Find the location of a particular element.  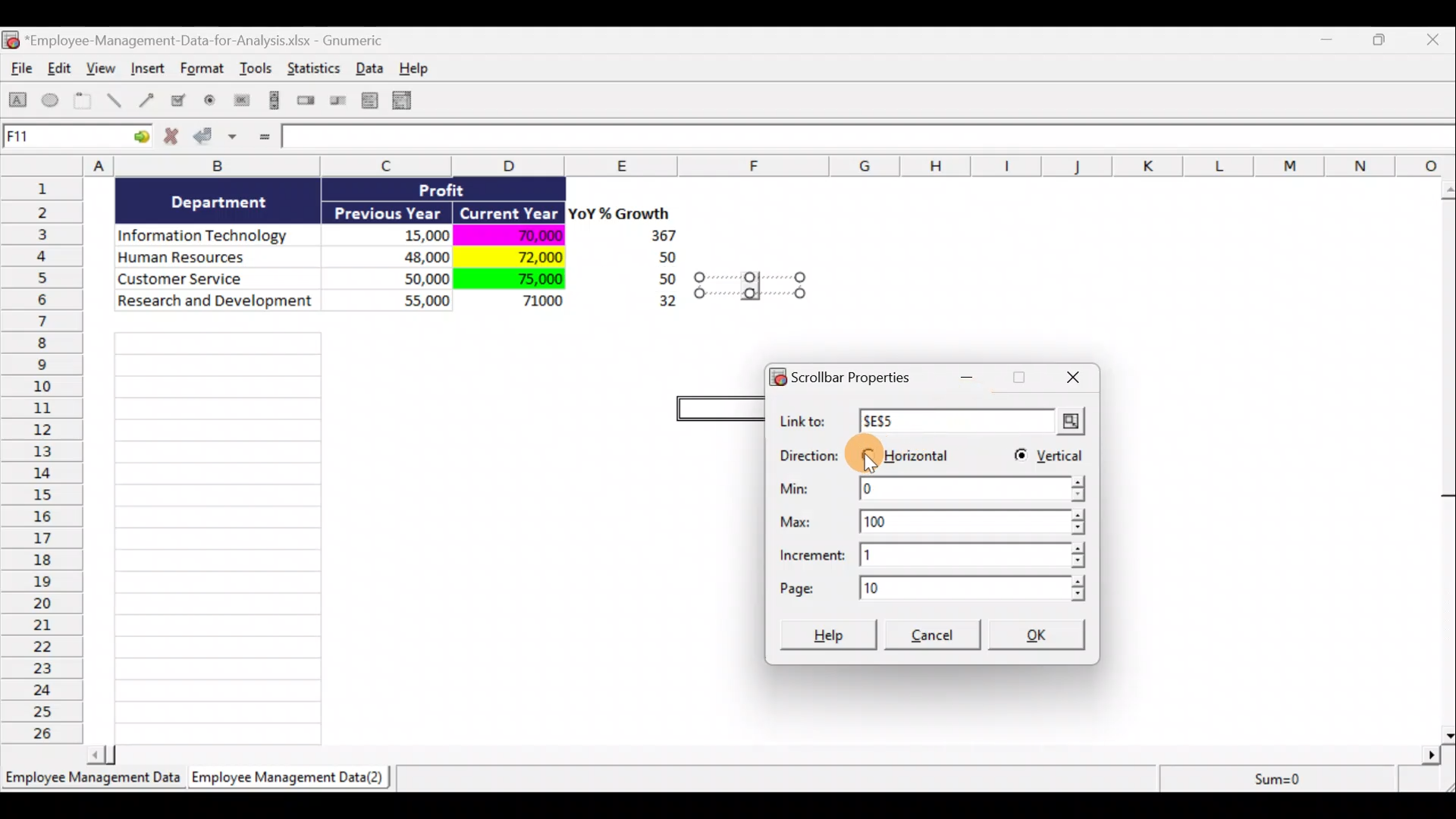

Maximum value is located at coordinates (940, 519).